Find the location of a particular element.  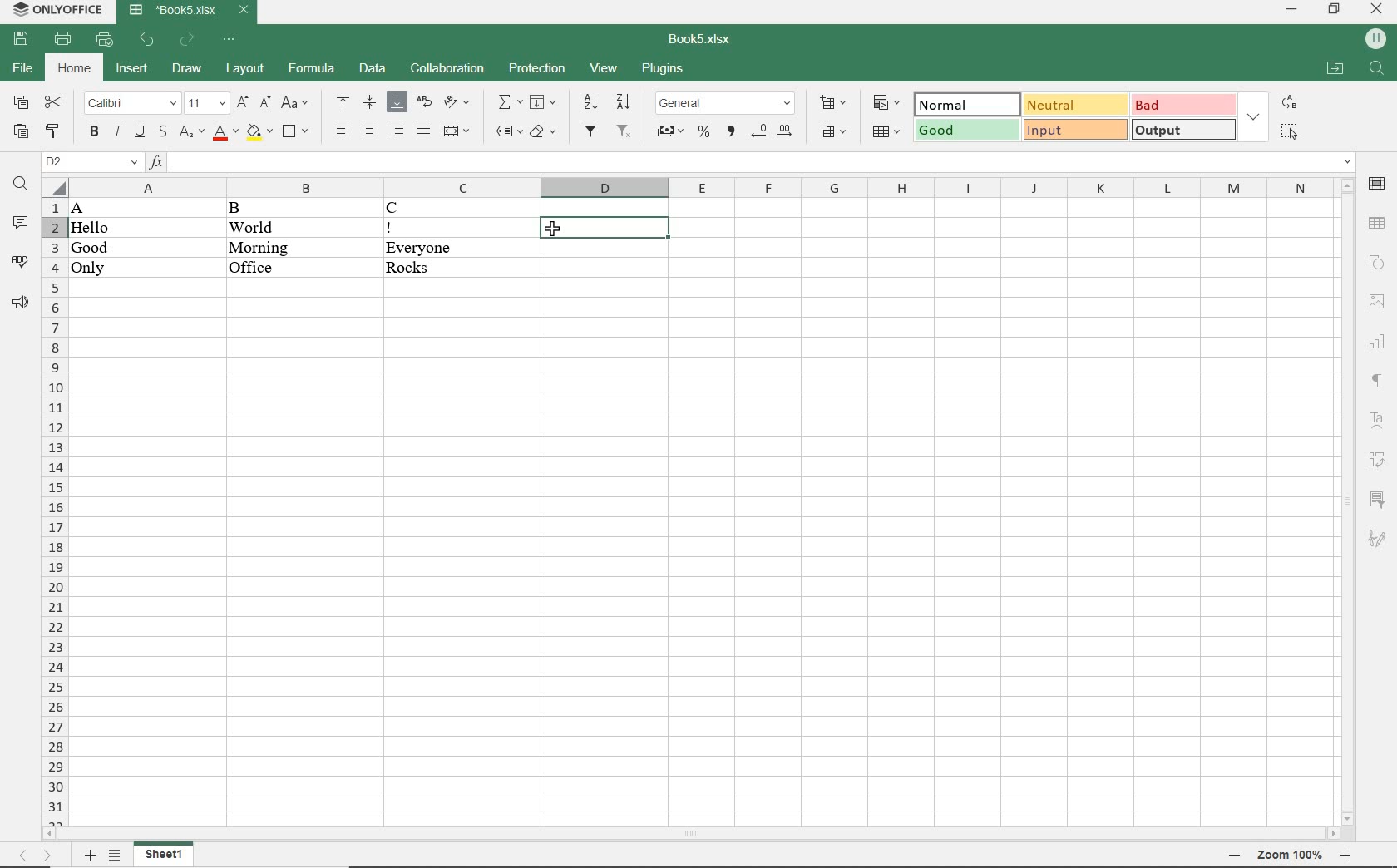

print is located at coordinates (64, 38).